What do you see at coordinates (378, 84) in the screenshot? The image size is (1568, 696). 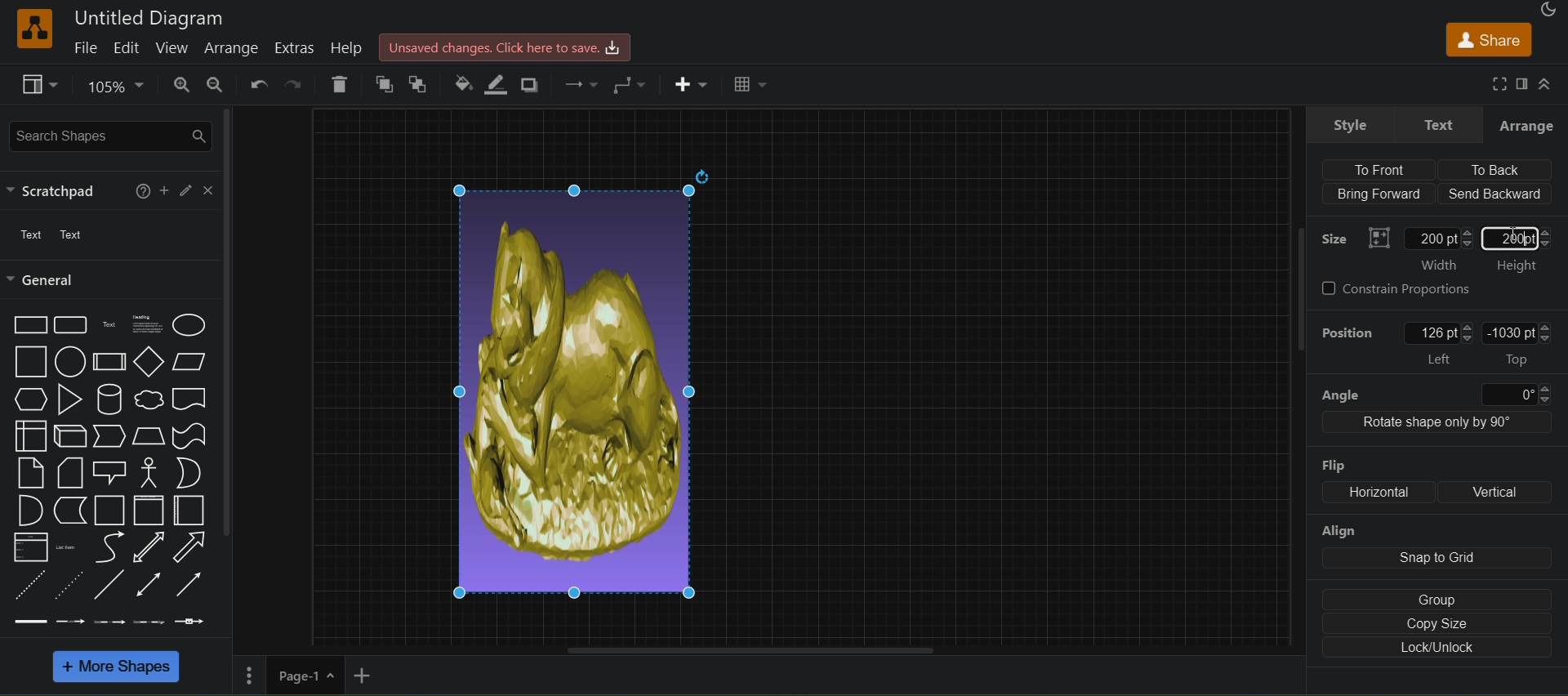 I see `to front` at bounding box center [378, 84].